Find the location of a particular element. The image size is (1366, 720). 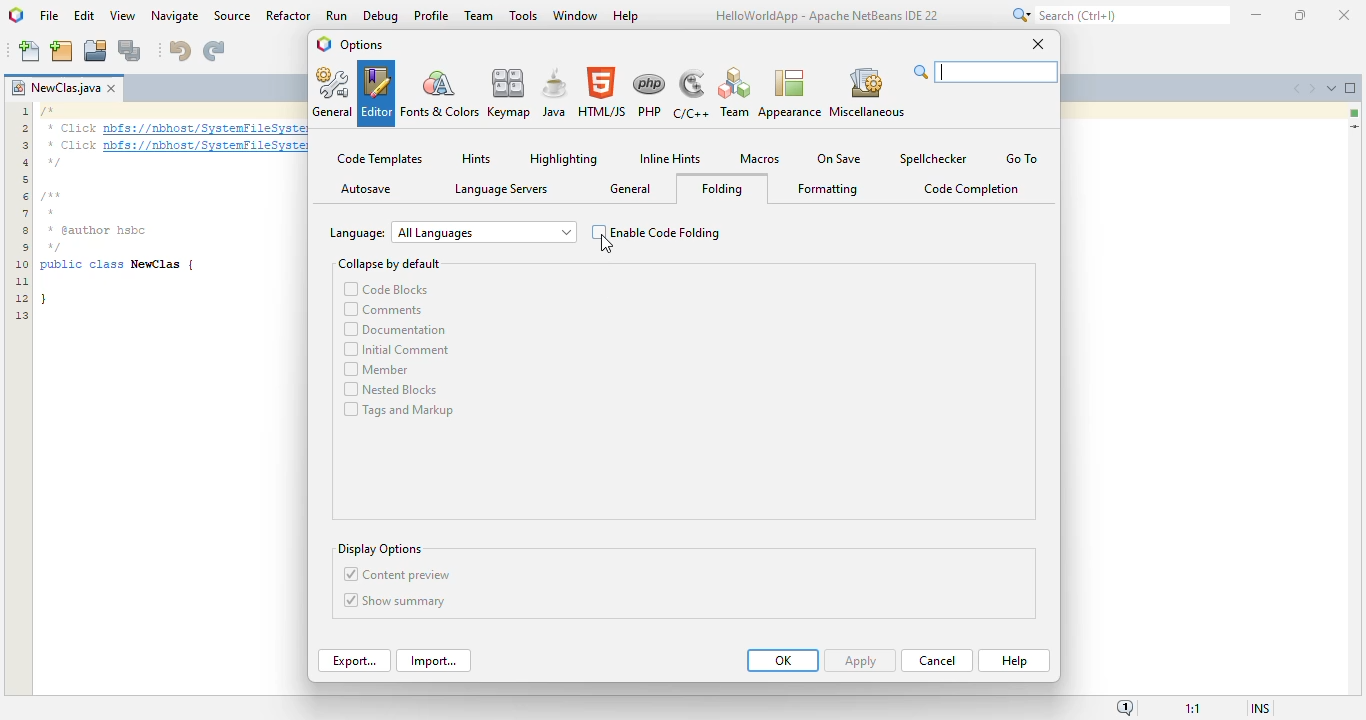

project name is located at coordinates (53, 87).